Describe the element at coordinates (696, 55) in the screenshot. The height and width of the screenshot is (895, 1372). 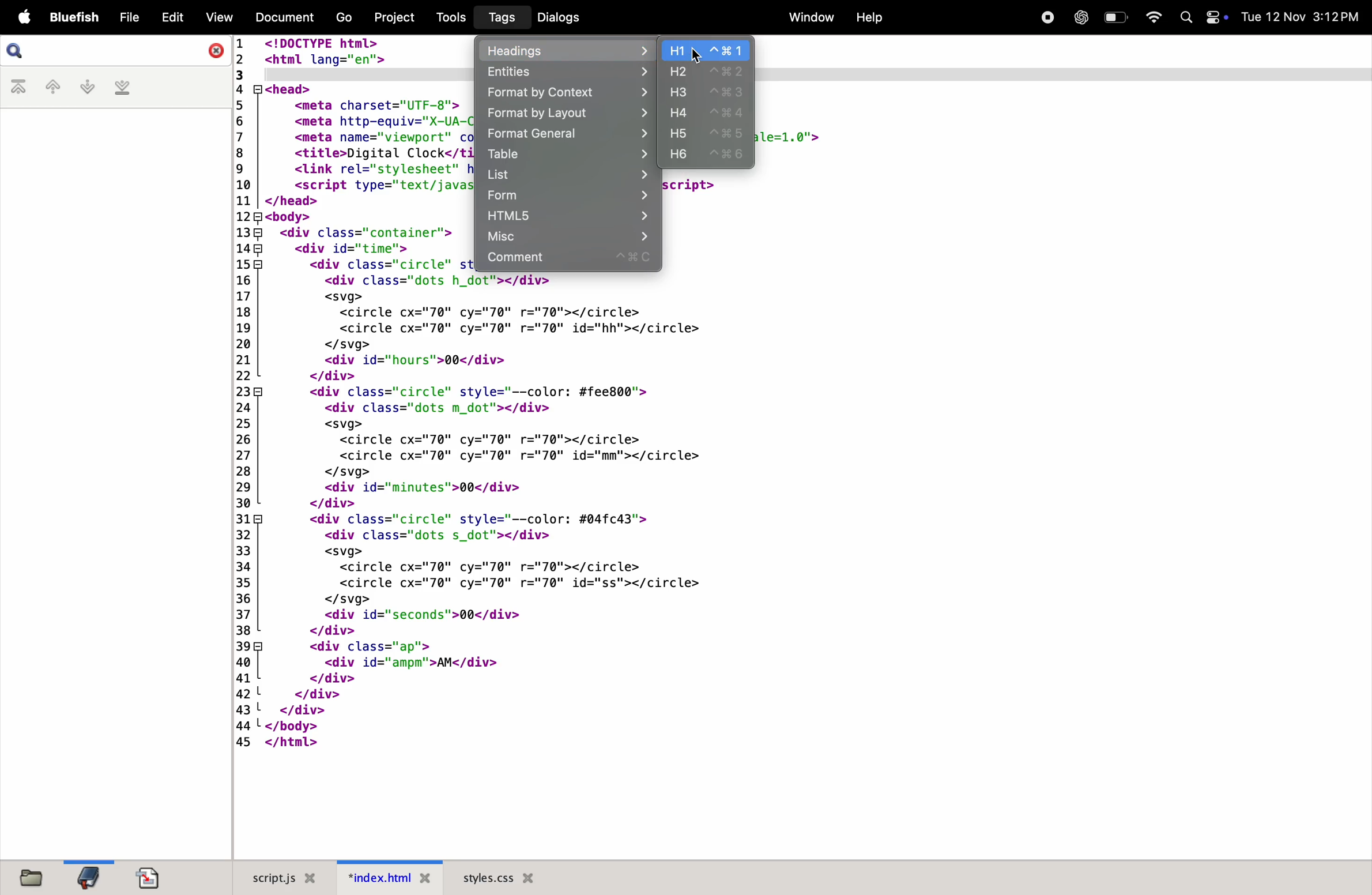
I see `cursor` at that location.